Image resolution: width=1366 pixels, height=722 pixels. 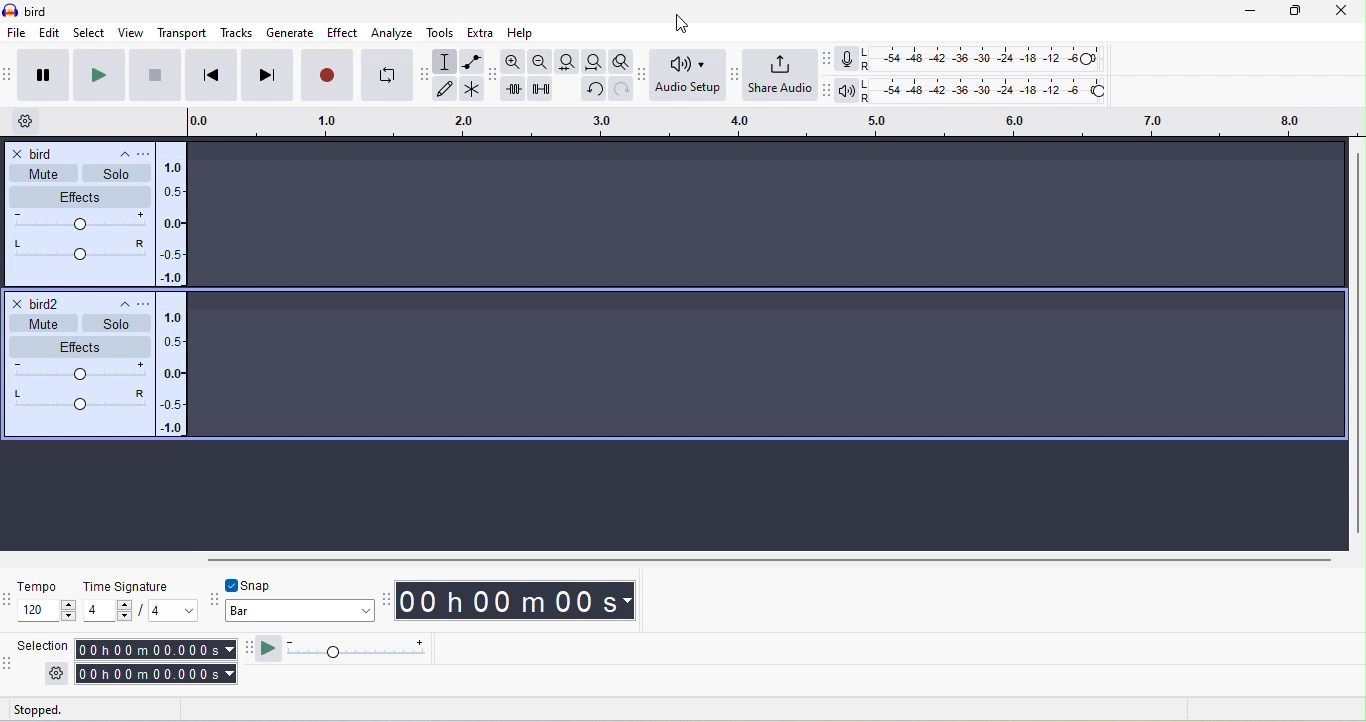 I want to click on tempo, so click(x=47, y=604).